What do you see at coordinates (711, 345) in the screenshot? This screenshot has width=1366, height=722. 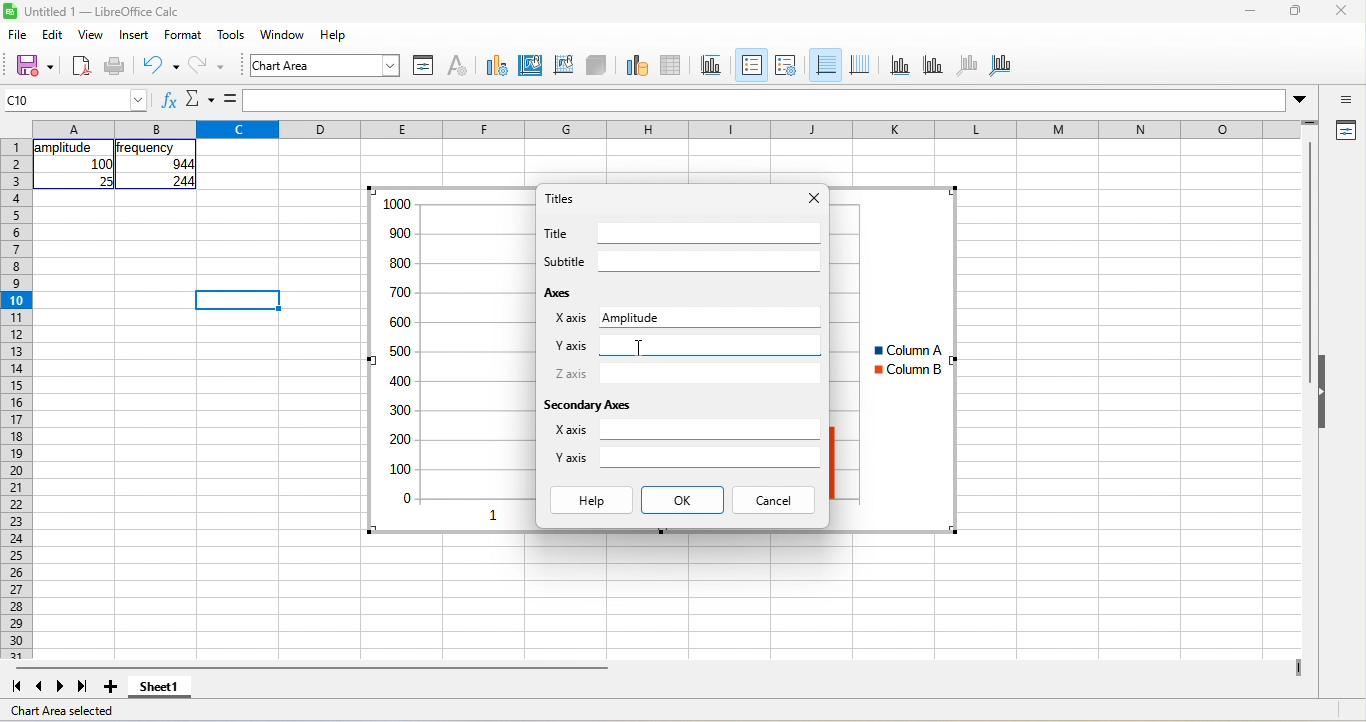 I see `Input for y axis` at bounding box center [711, 345].